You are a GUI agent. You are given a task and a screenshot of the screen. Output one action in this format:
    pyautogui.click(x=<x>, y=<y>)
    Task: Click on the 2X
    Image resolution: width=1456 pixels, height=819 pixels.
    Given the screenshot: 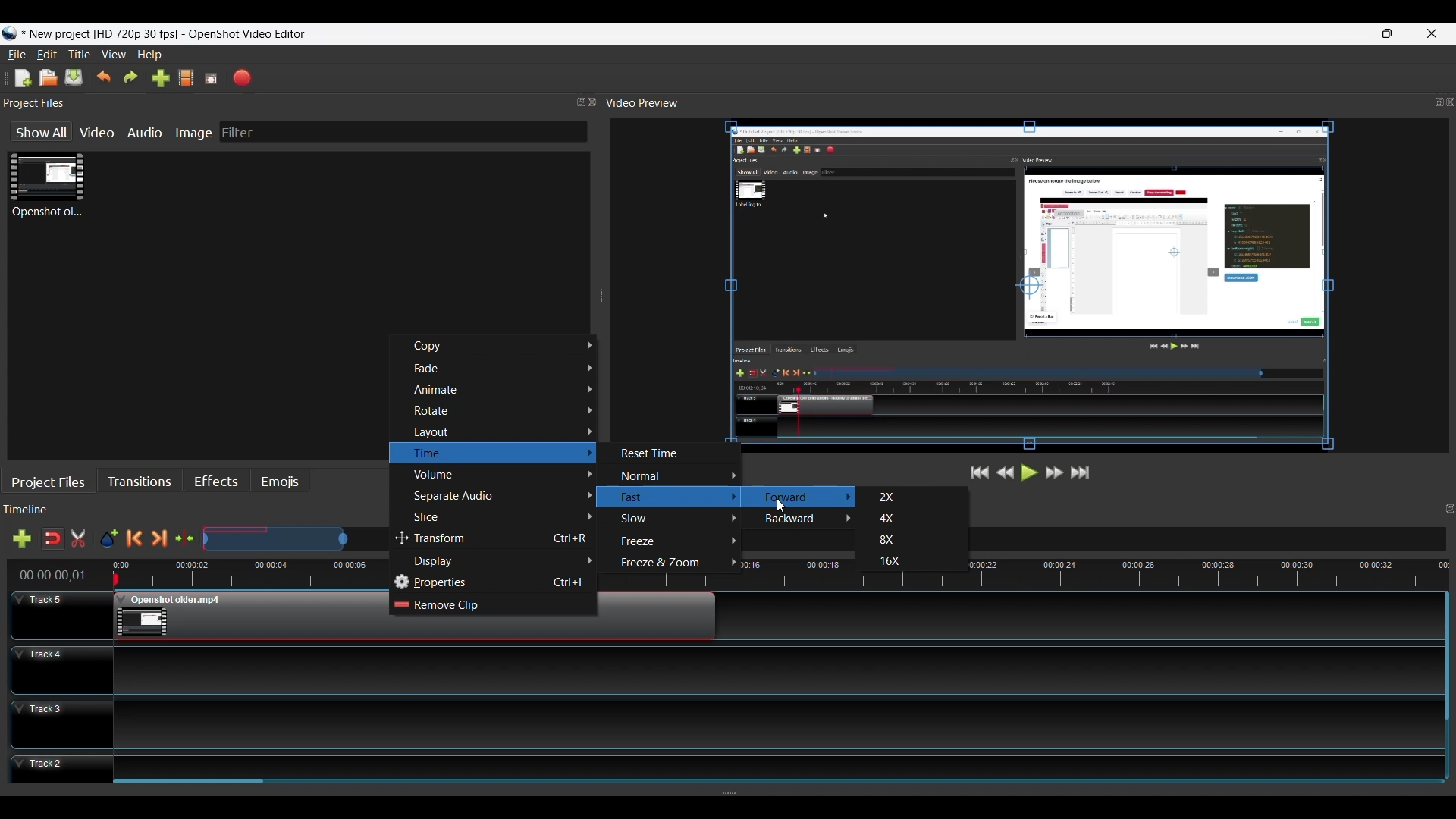 What is the action you would take?
    pyautogui.click(x=891, y=496)
    